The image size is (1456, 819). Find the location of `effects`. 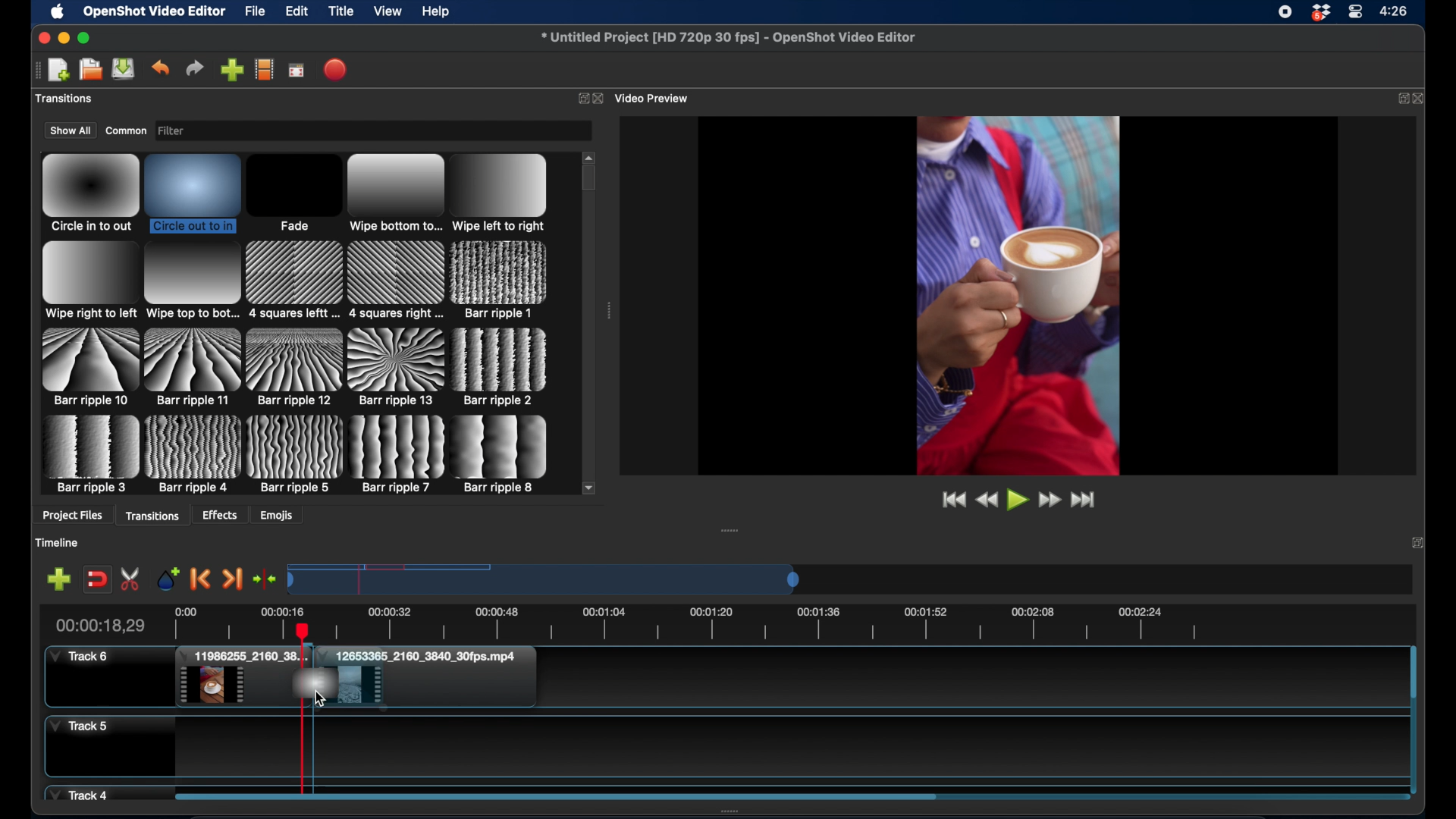

effects is located at coordinates (221, 515).